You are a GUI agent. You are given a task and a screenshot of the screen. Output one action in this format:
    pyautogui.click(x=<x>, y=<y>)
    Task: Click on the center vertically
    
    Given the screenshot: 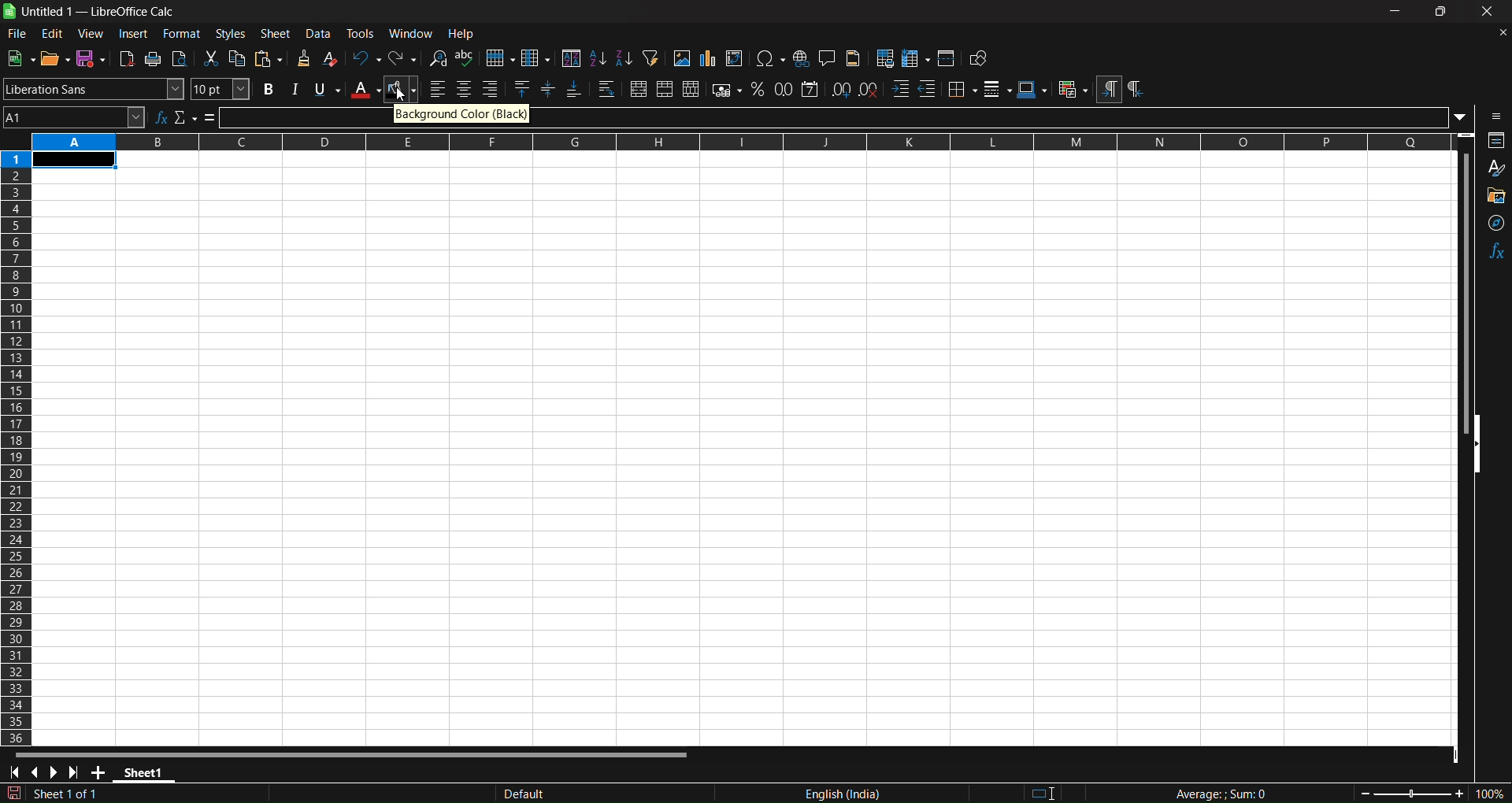 What is the action you would take?
    pyautogui.click(x=548, y=88)
    